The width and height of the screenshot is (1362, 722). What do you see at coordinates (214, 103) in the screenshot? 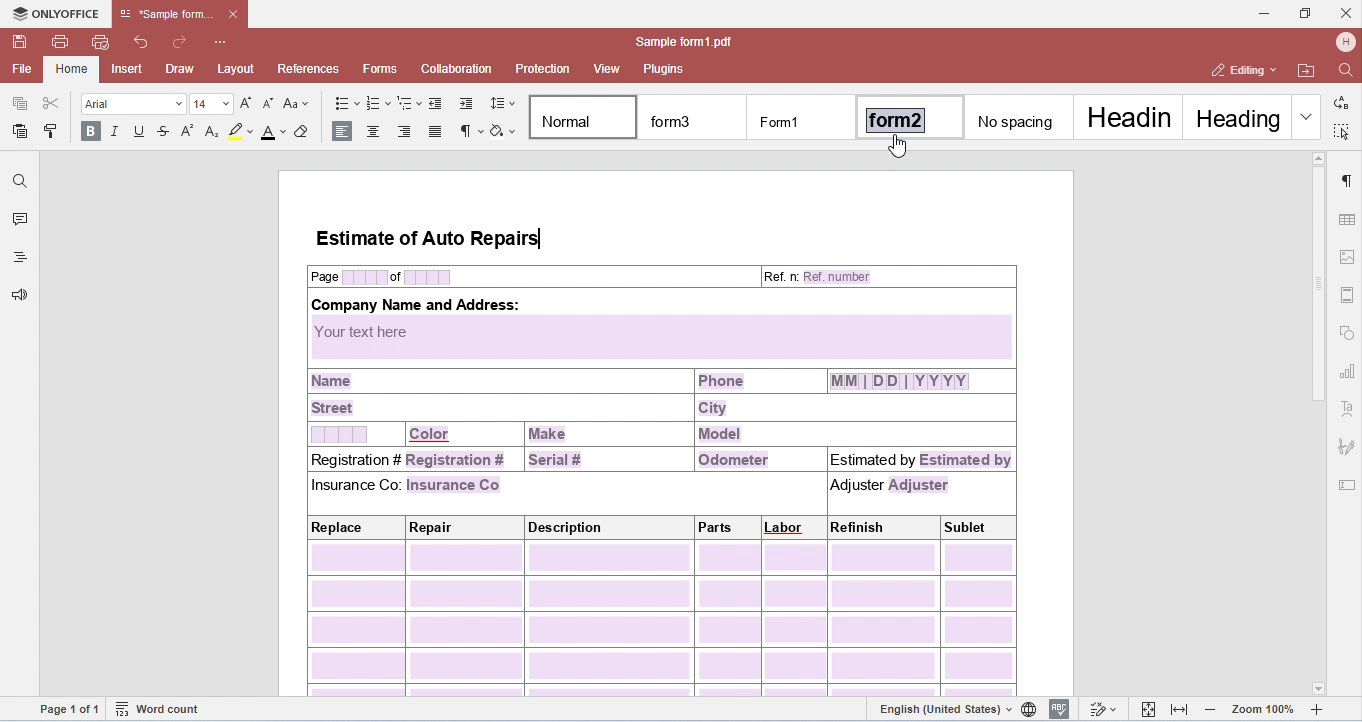
I see `font size` at bounding box center [214, 103].